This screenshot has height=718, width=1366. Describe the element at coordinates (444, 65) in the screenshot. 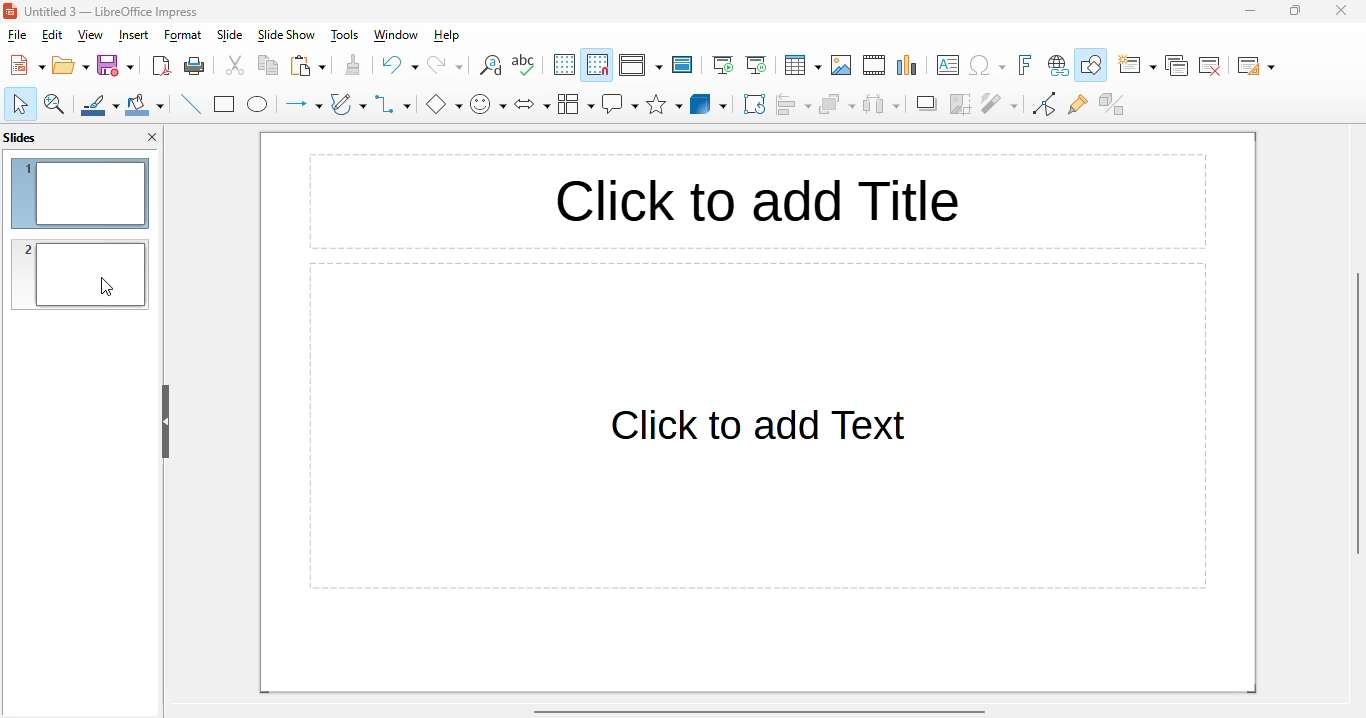

I see `redo` at that location.